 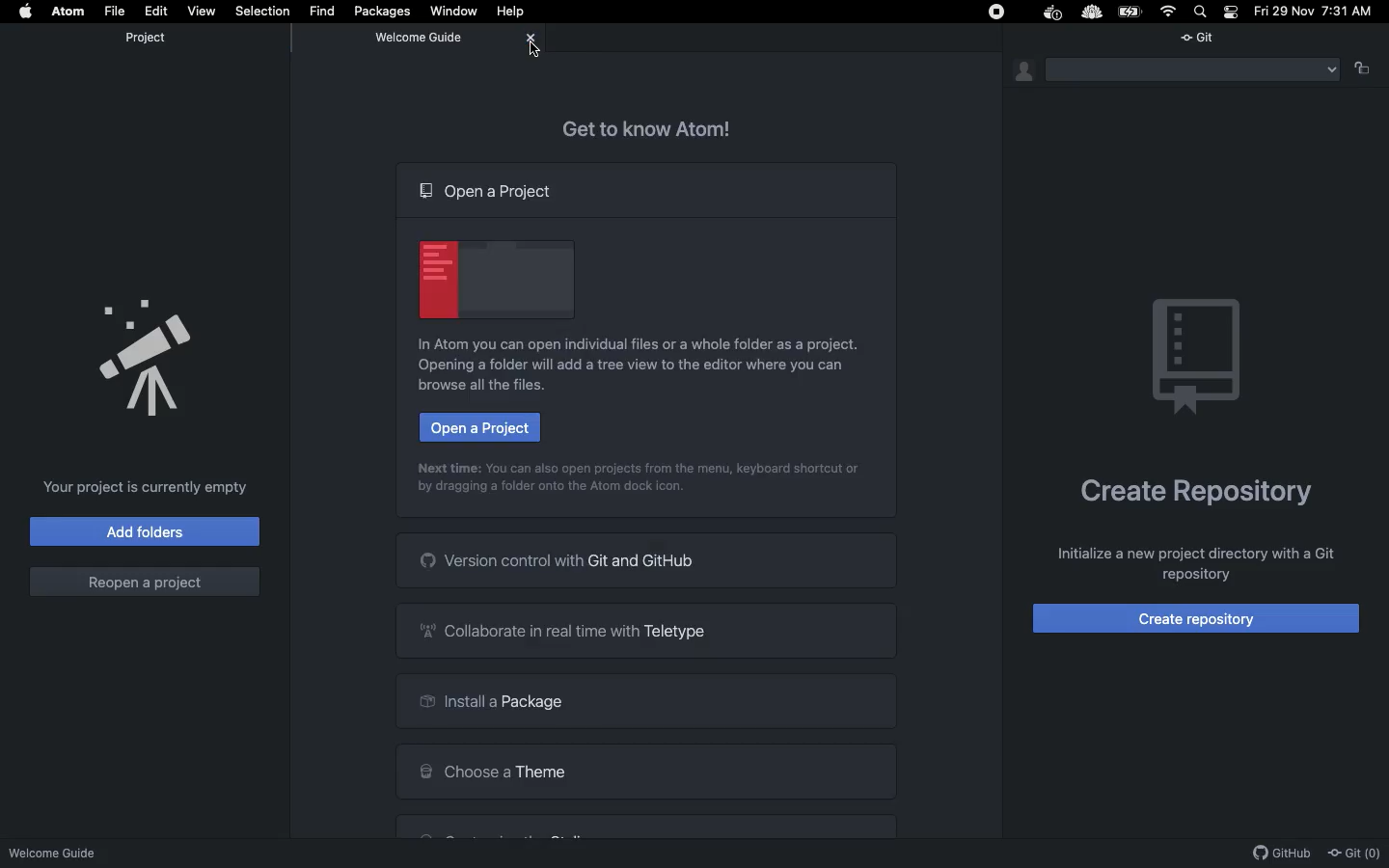 I want to click on Install a package , so click(x=647, y=701).